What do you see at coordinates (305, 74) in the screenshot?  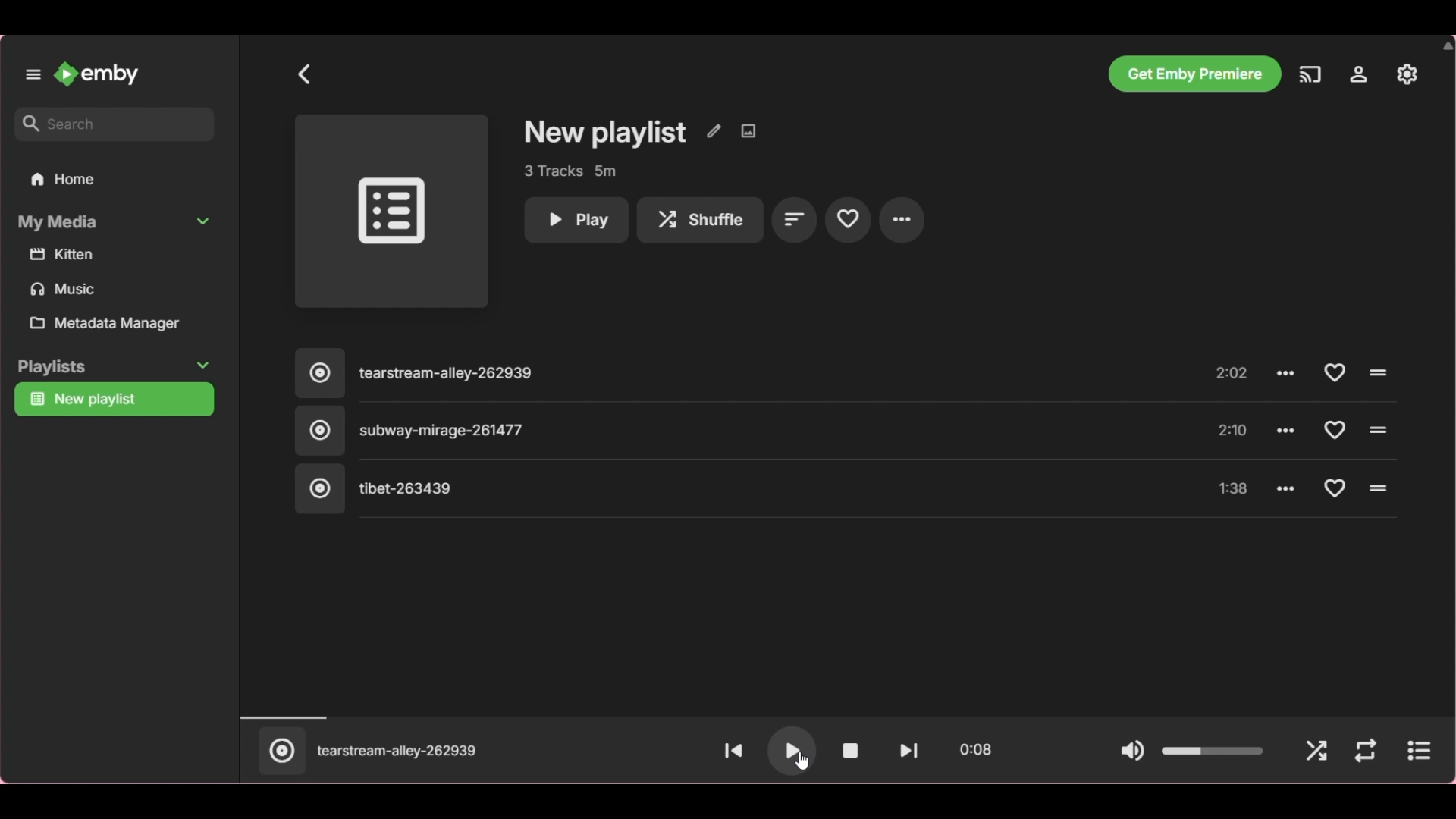 I see `Back` at bounding box center [305, 74].